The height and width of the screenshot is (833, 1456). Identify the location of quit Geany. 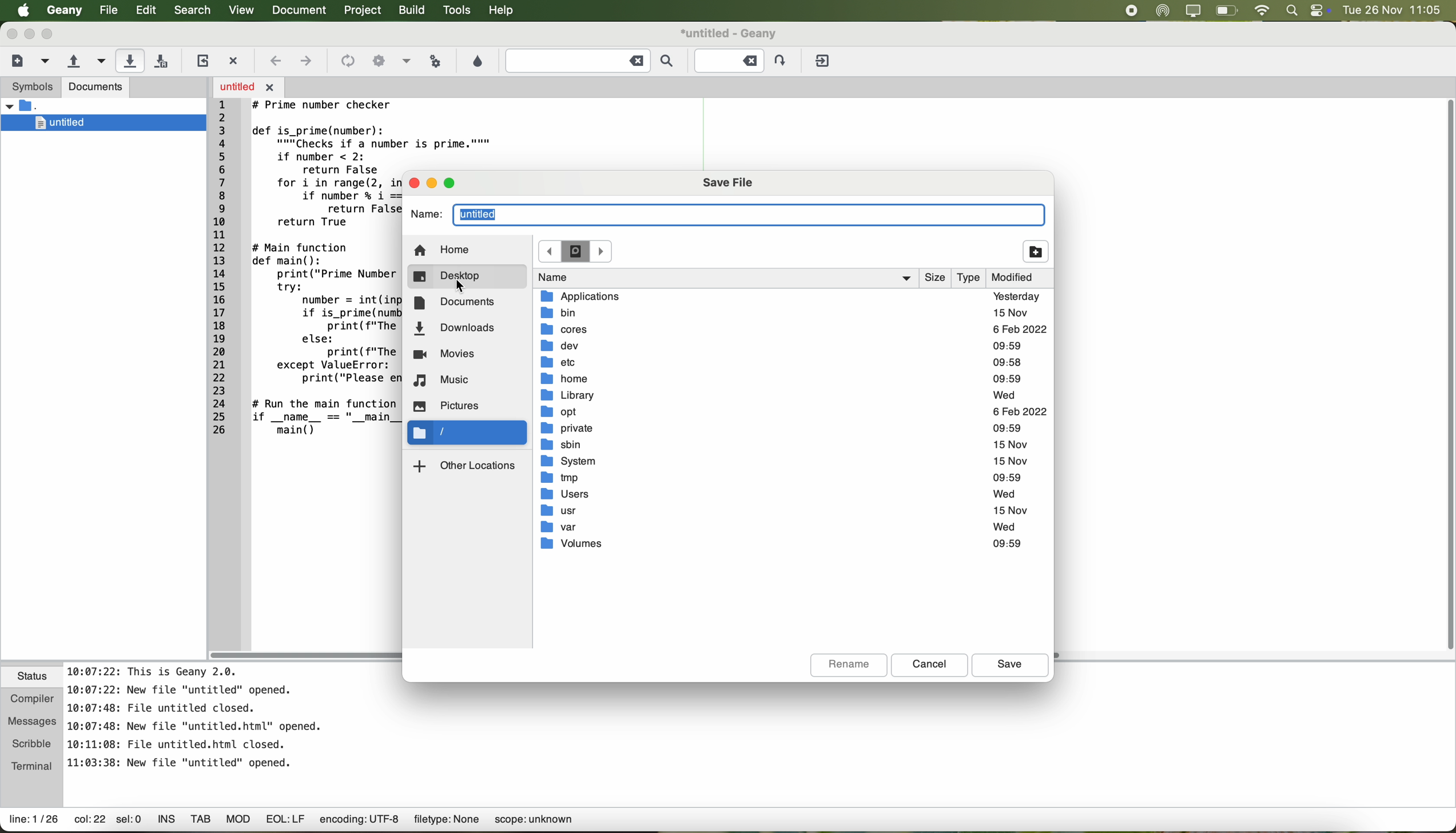
(824, 61).